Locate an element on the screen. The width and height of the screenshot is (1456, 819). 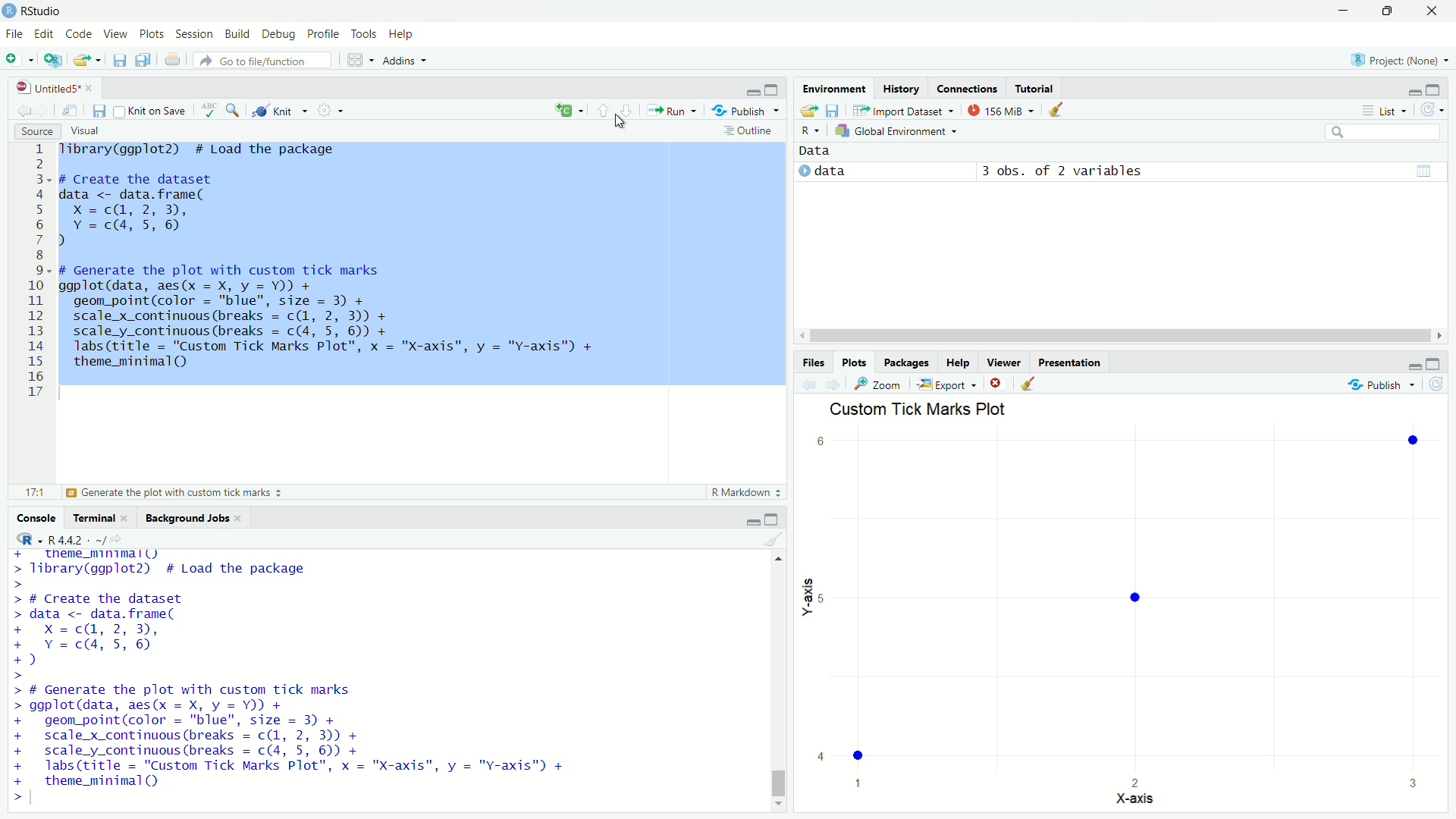
 is located at coordinates (32, 273).